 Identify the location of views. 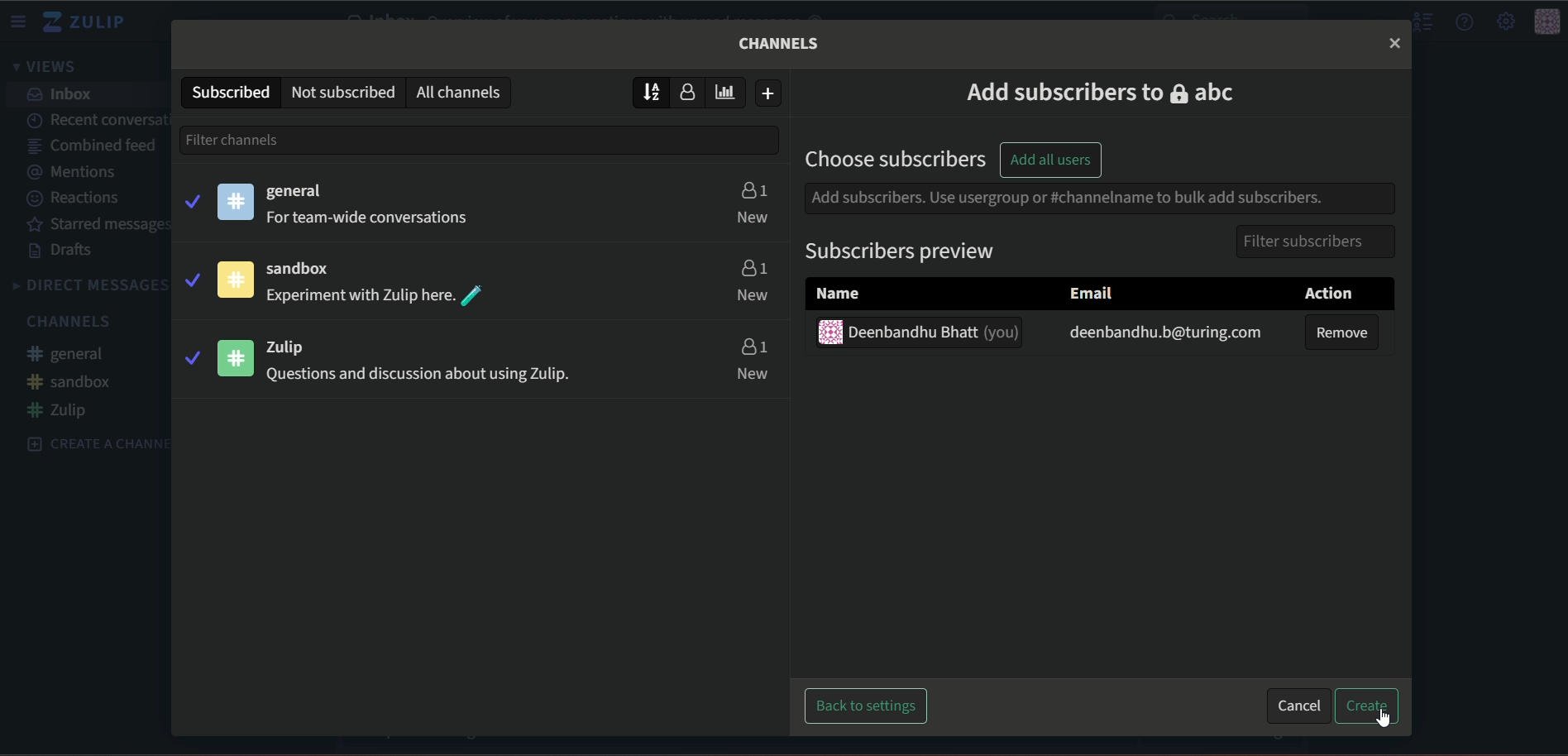
(50, 68).